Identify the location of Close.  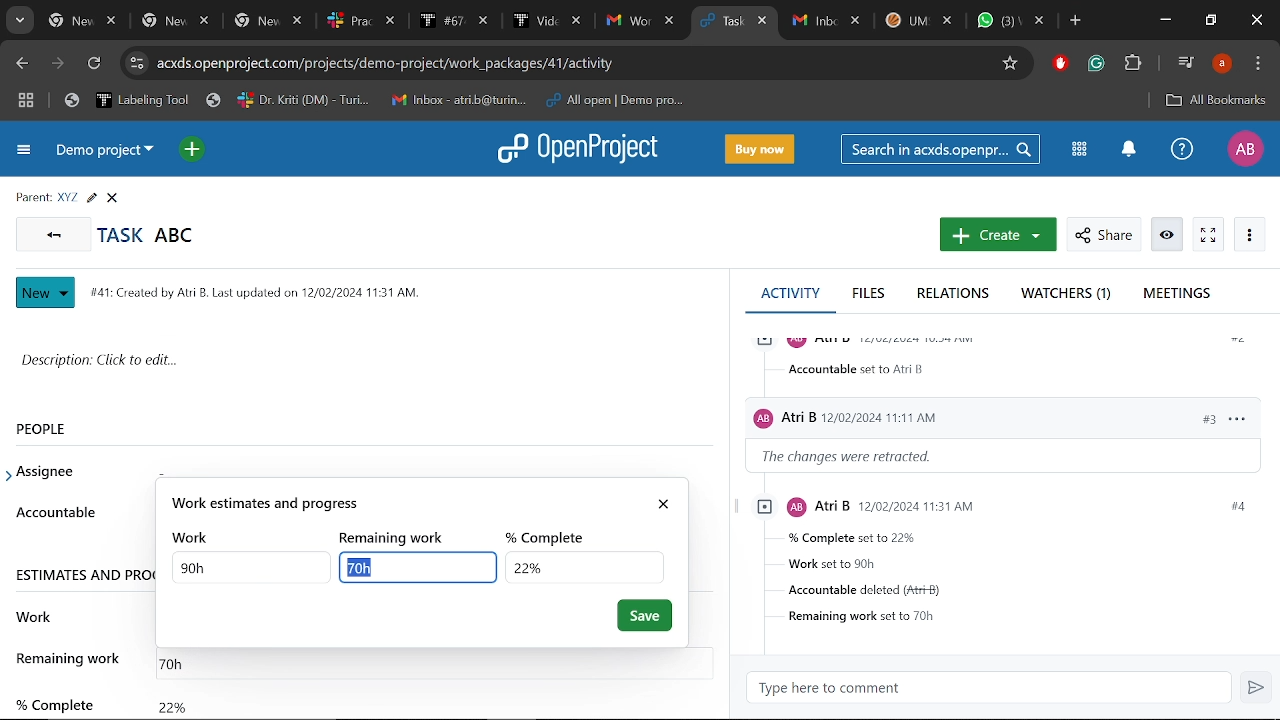
(1254, 21).